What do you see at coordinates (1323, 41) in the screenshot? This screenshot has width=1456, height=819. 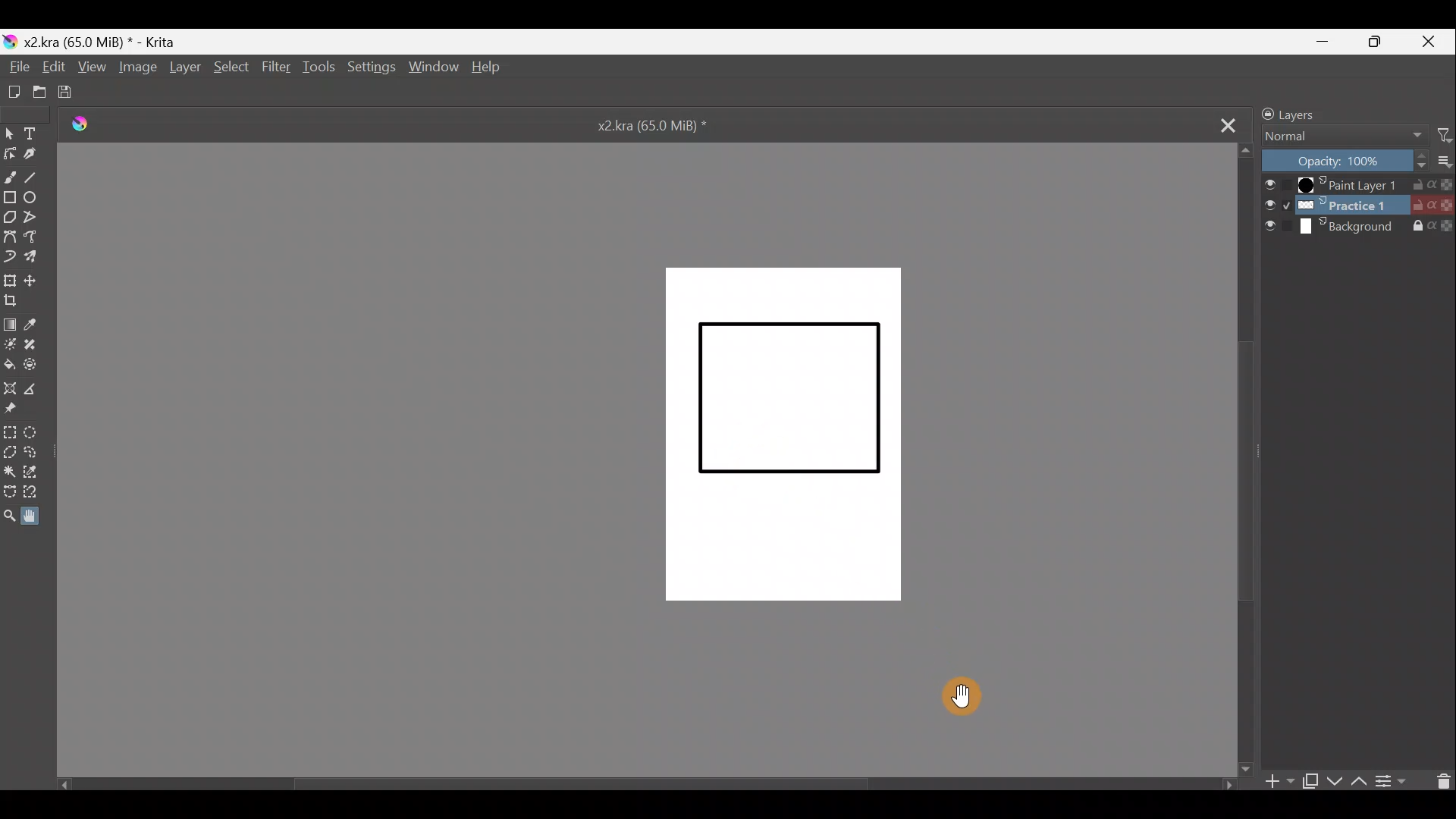 I see `Minimize` at bounding box center [1323, 41].